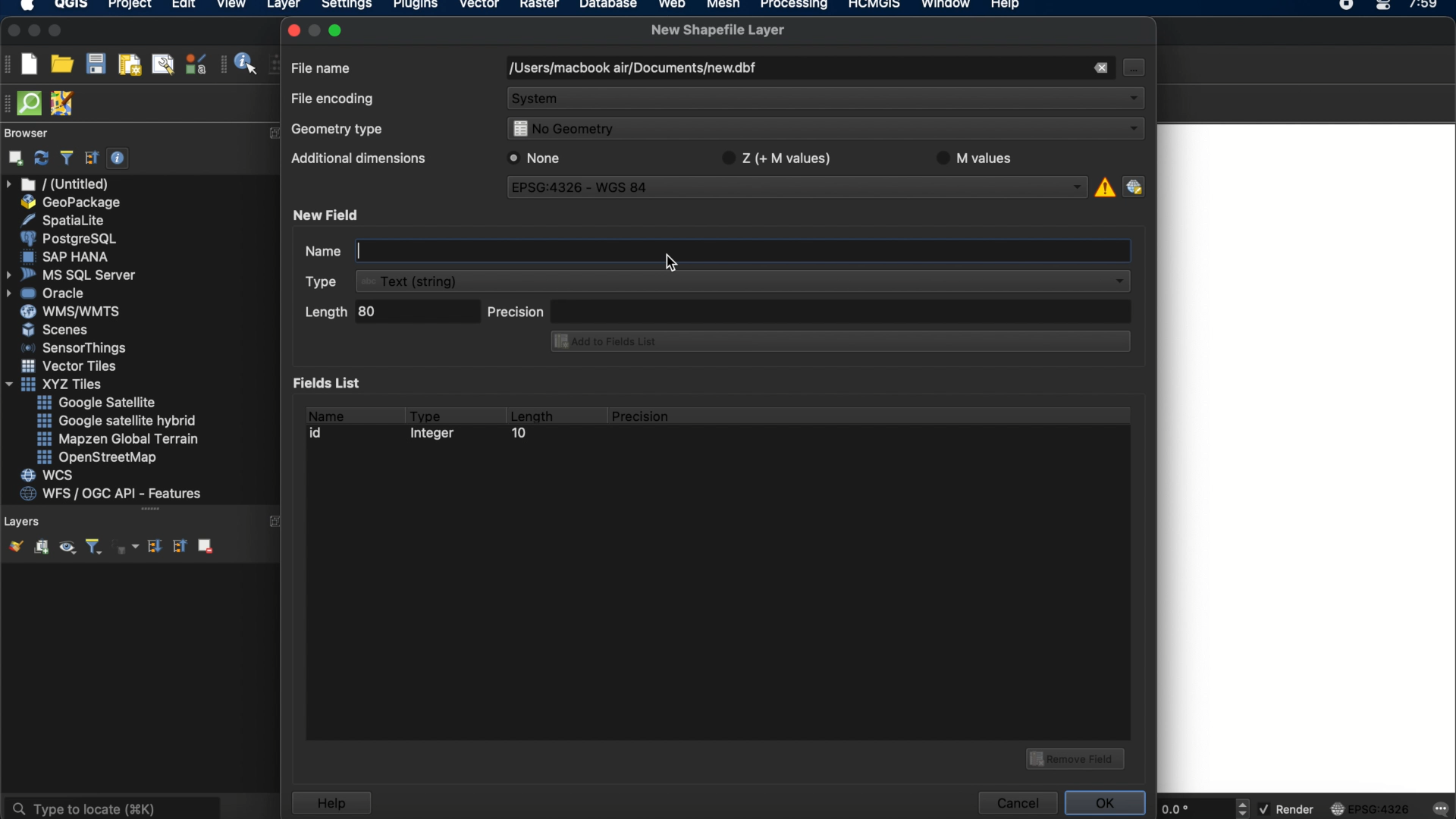 Image resolution: width=1456 pixels, height=819 pixels. Describe the element at coordinates (531, 413) in the screenshot. I see `length` at that location.